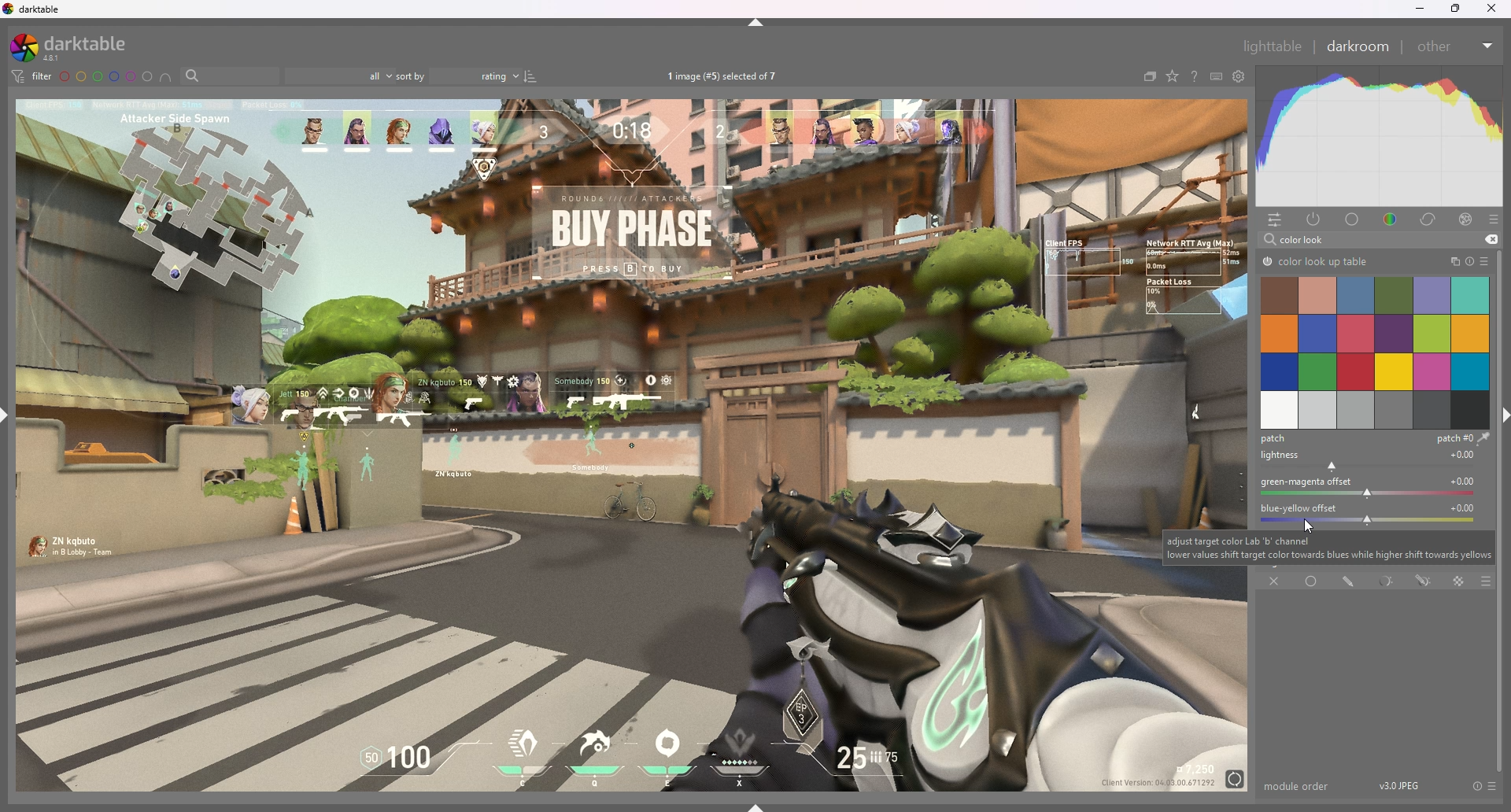 The height and width of the screenshot is (812, 1511). I want to click on collapse grouped images, so click(1149, 76).